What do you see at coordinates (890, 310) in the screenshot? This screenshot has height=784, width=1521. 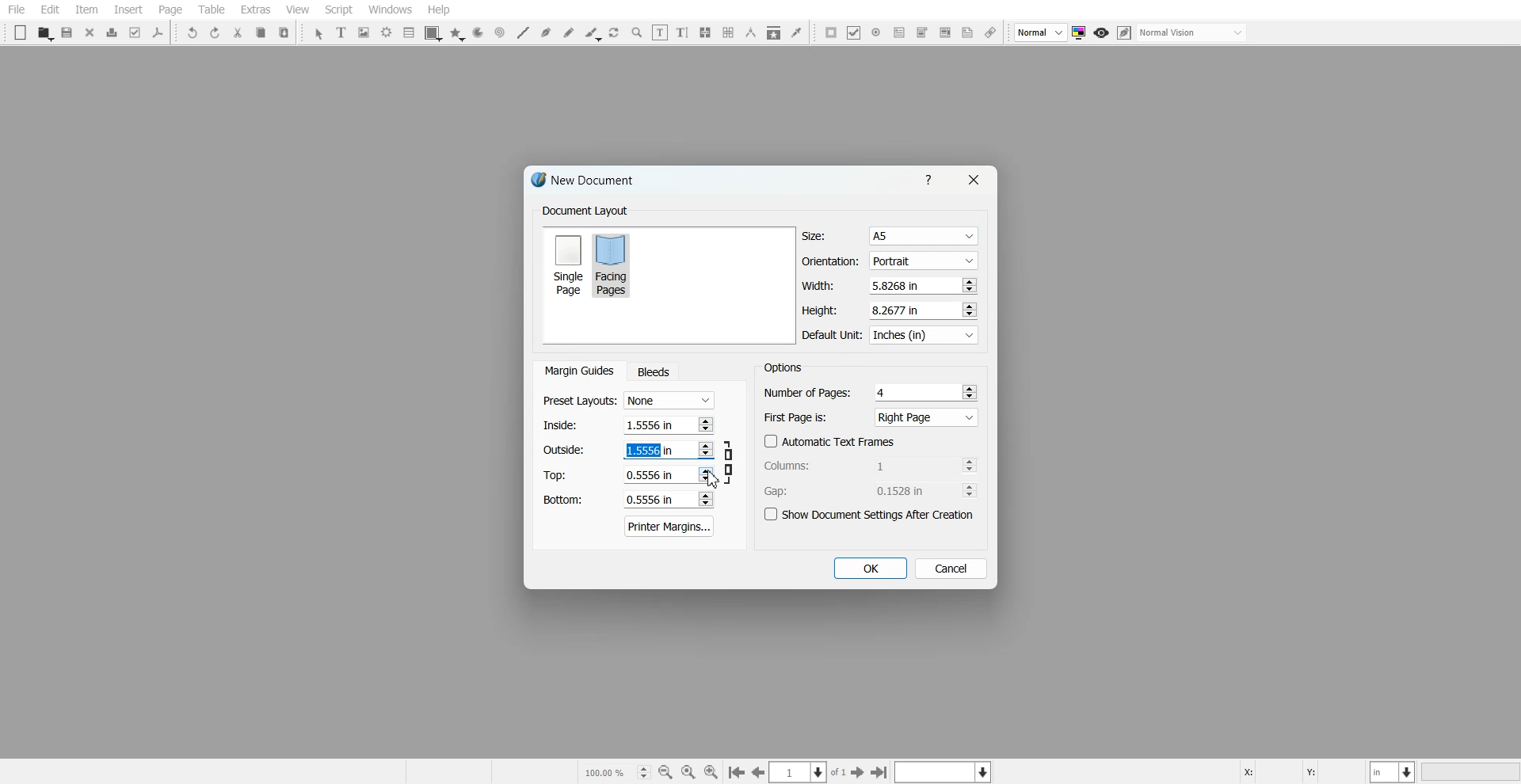 I see `Height adjuster` at bounding box center [890, 310].